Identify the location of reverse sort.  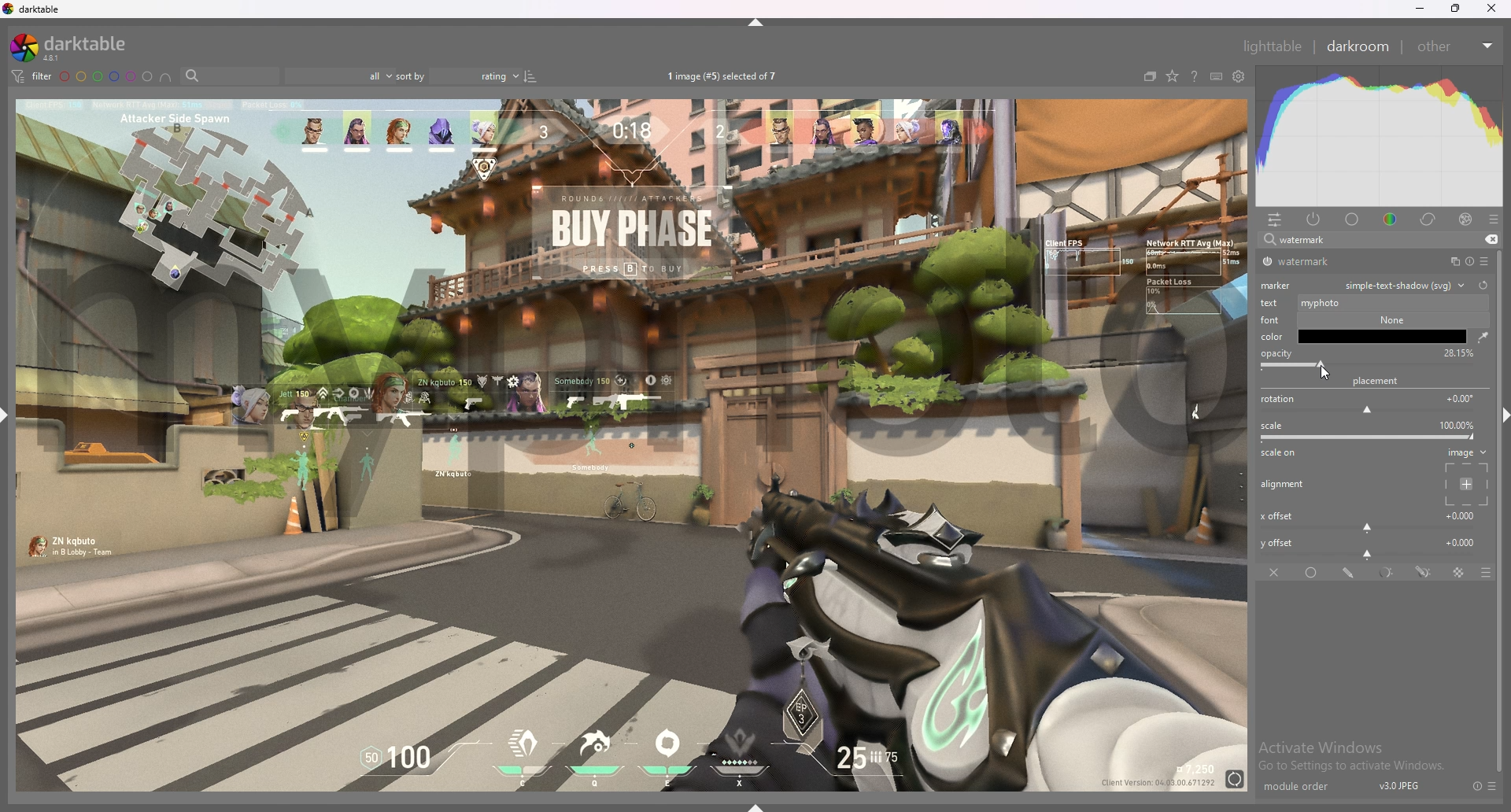
(530, 76).